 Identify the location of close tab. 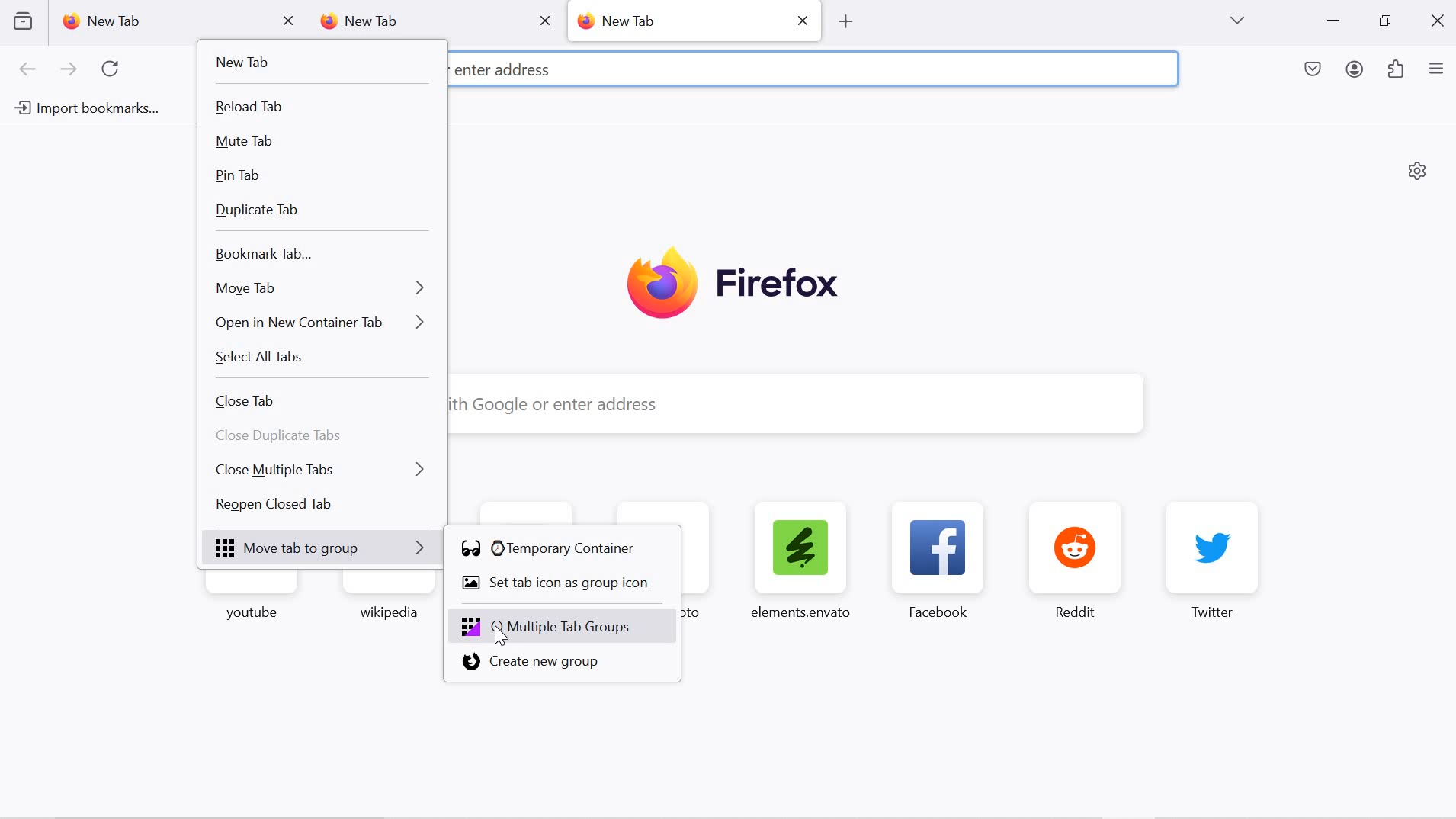
(290, 21).